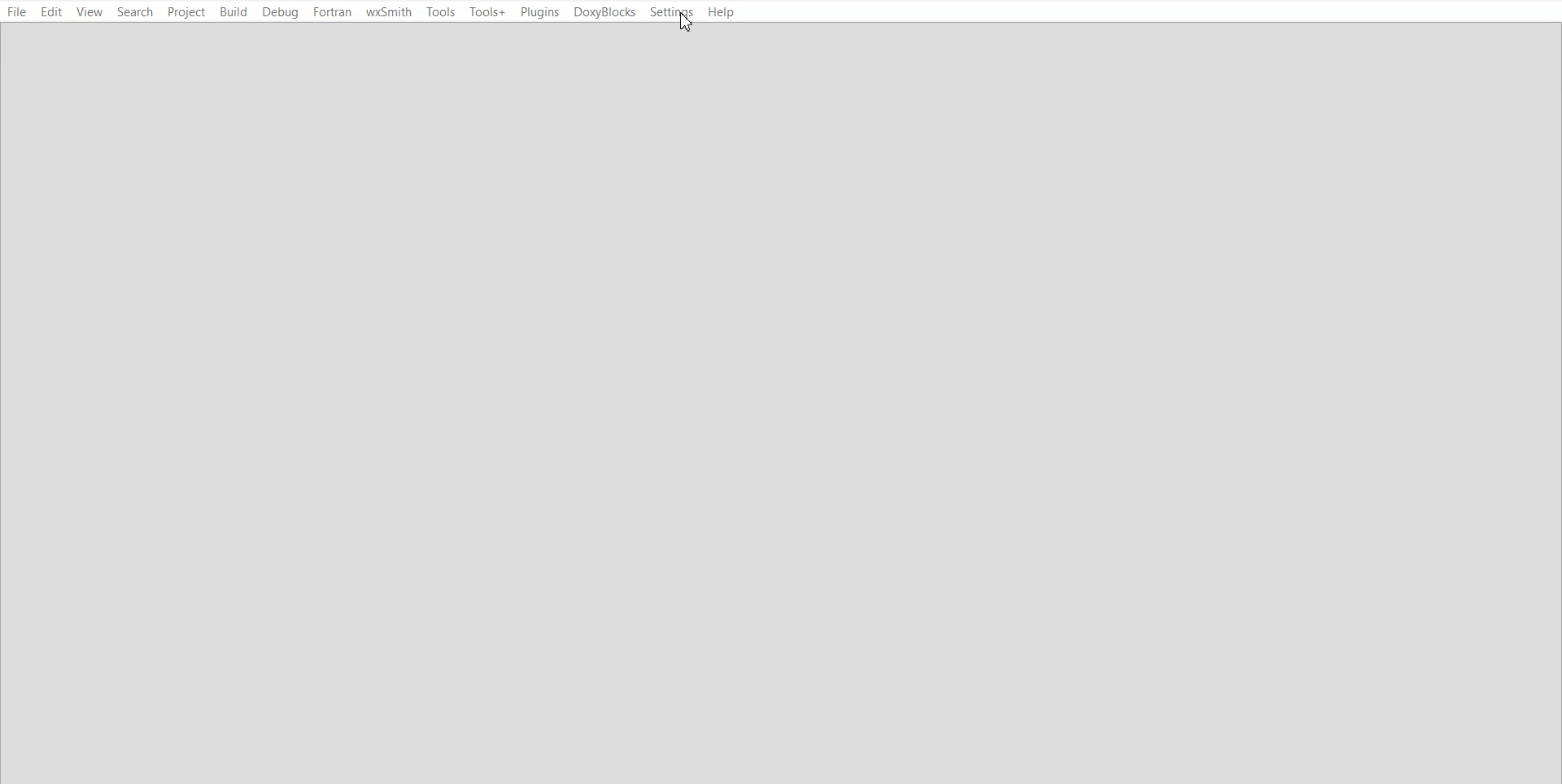  I want to click on Setting, so click(671, 12).